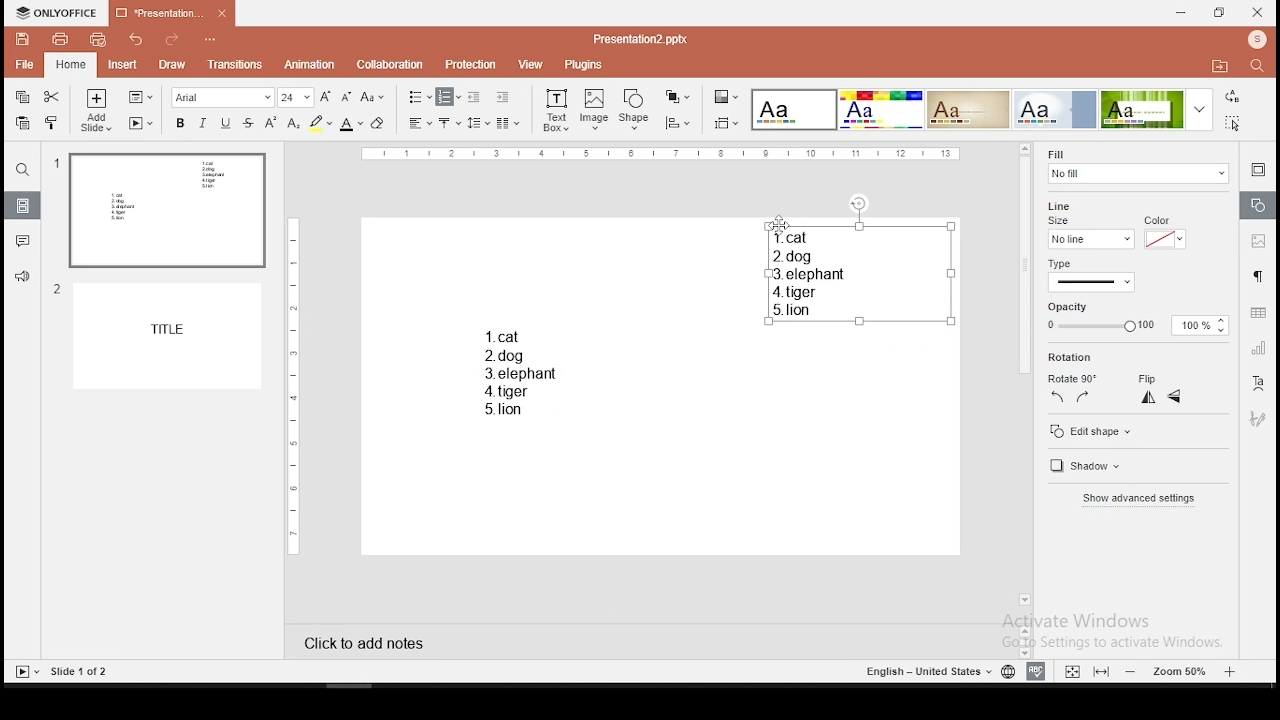  Describe the element at coordinates (296, 97) in the screenshot. I see `font size` at that location.